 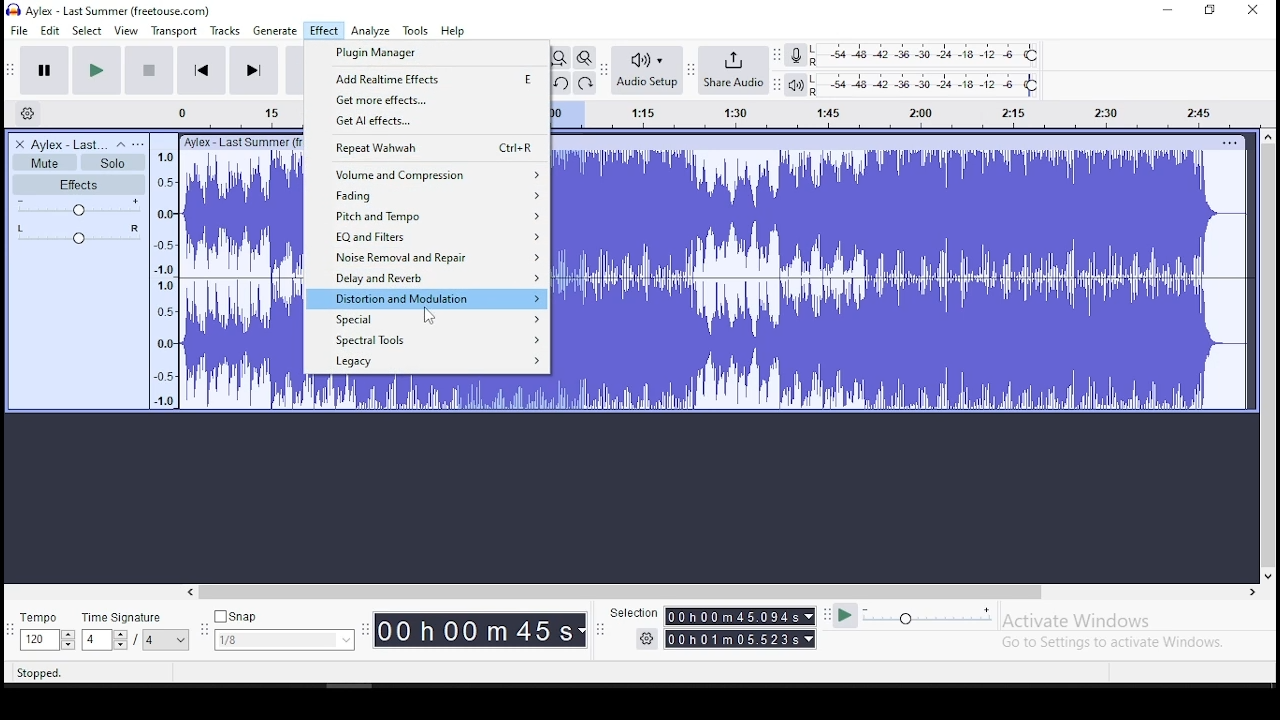 What do you see at coordinates (28, 112) in the screenshot?
I see `timeline settings` at bounding box center [28, 112].